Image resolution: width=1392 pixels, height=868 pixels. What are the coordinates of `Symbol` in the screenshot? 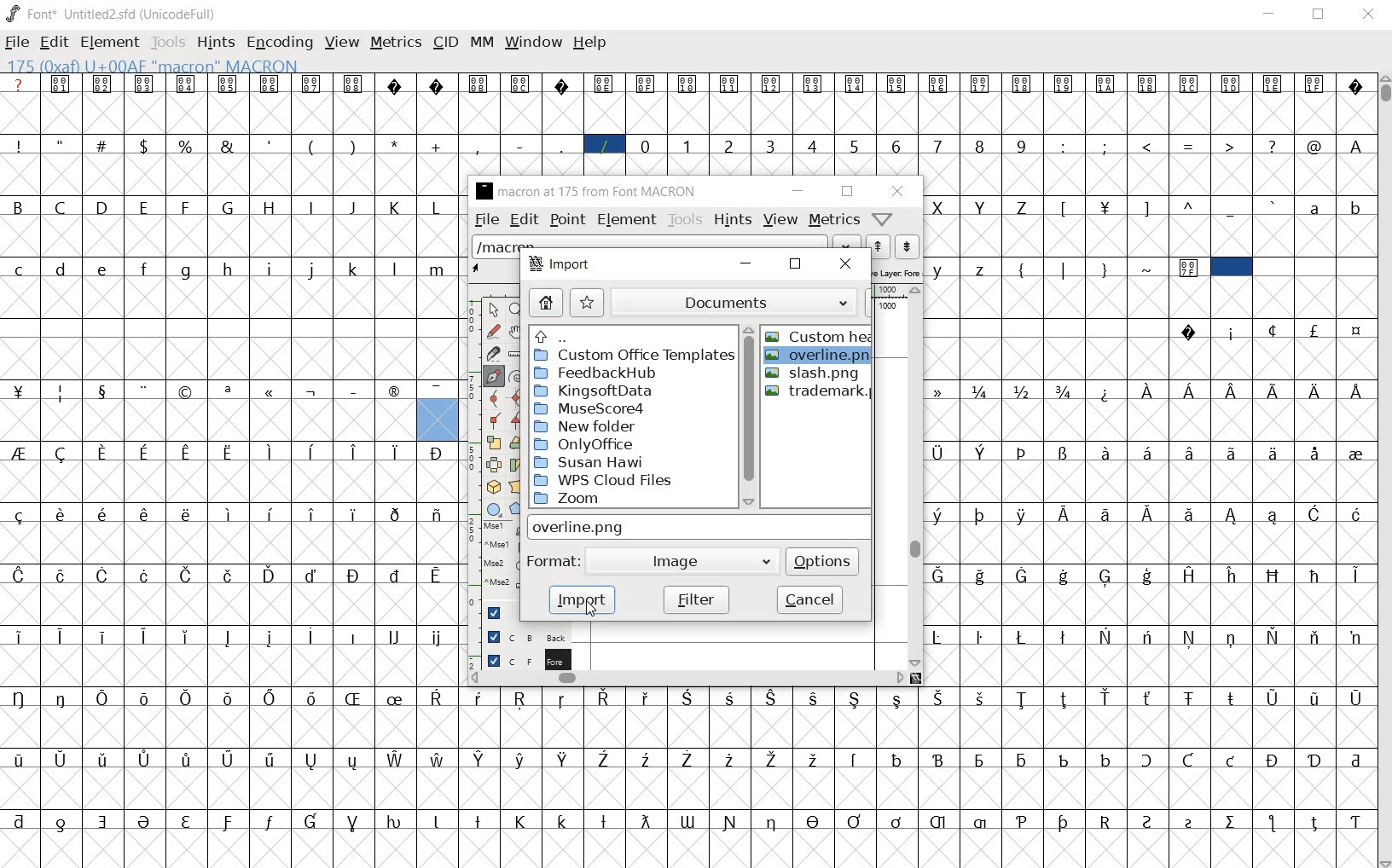 It's located at (1315, 696).